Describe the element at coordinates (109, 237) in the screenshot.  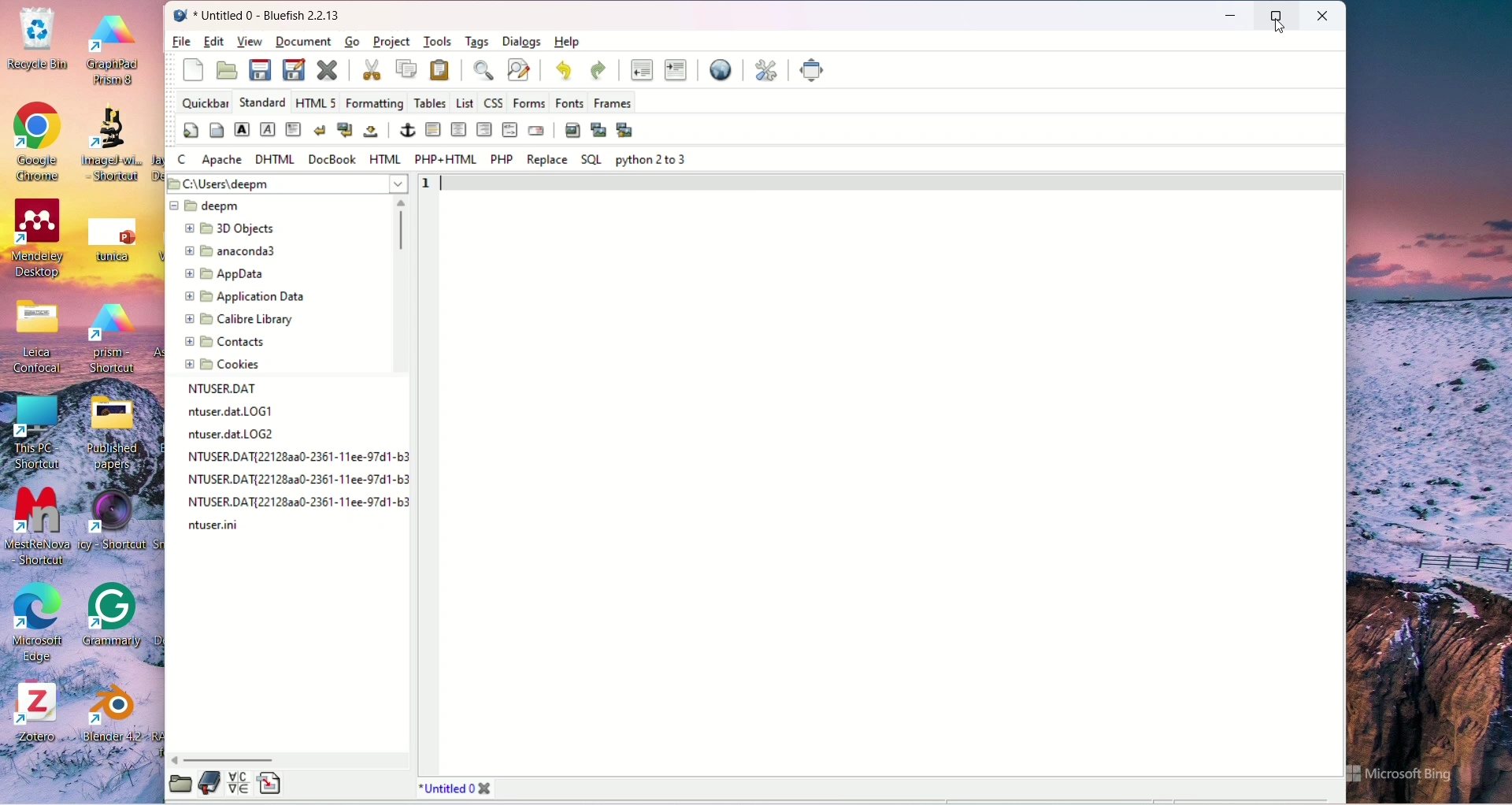
I see `tunica ppt` at that location.